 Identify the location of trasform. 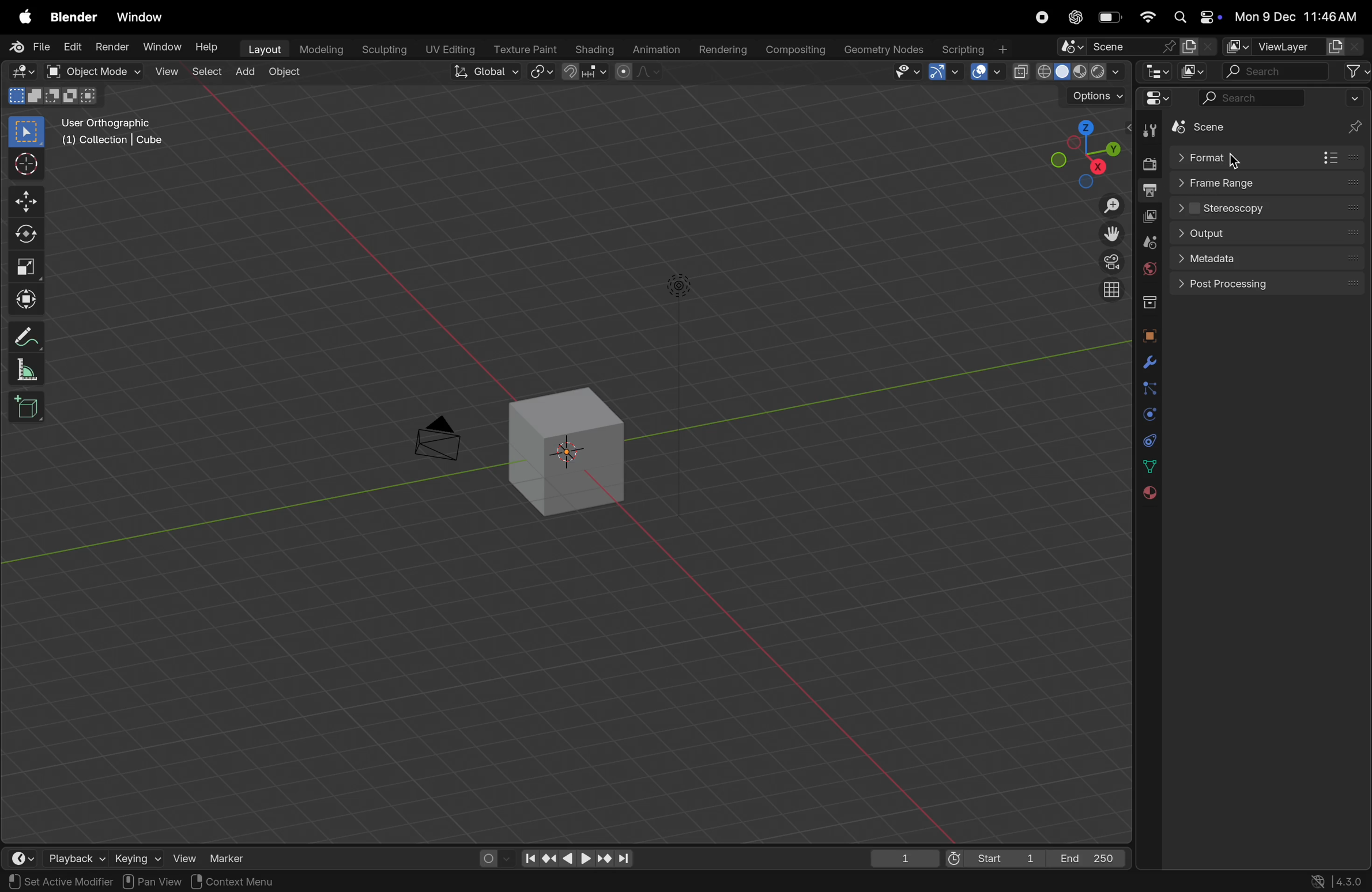
(26, 298).